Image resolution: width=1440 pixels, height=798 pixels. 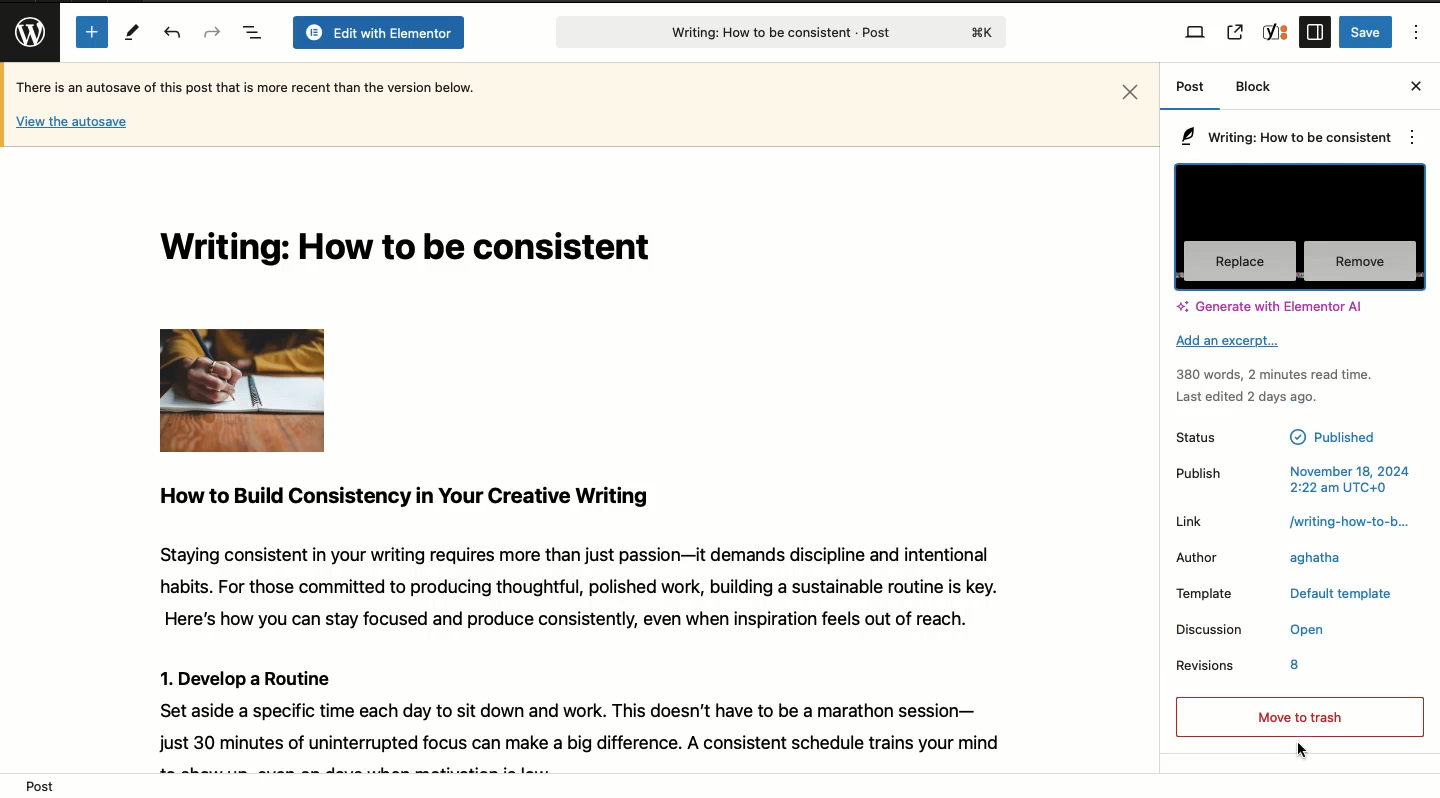 I want to click on Post, so click(x=1189, y=93).